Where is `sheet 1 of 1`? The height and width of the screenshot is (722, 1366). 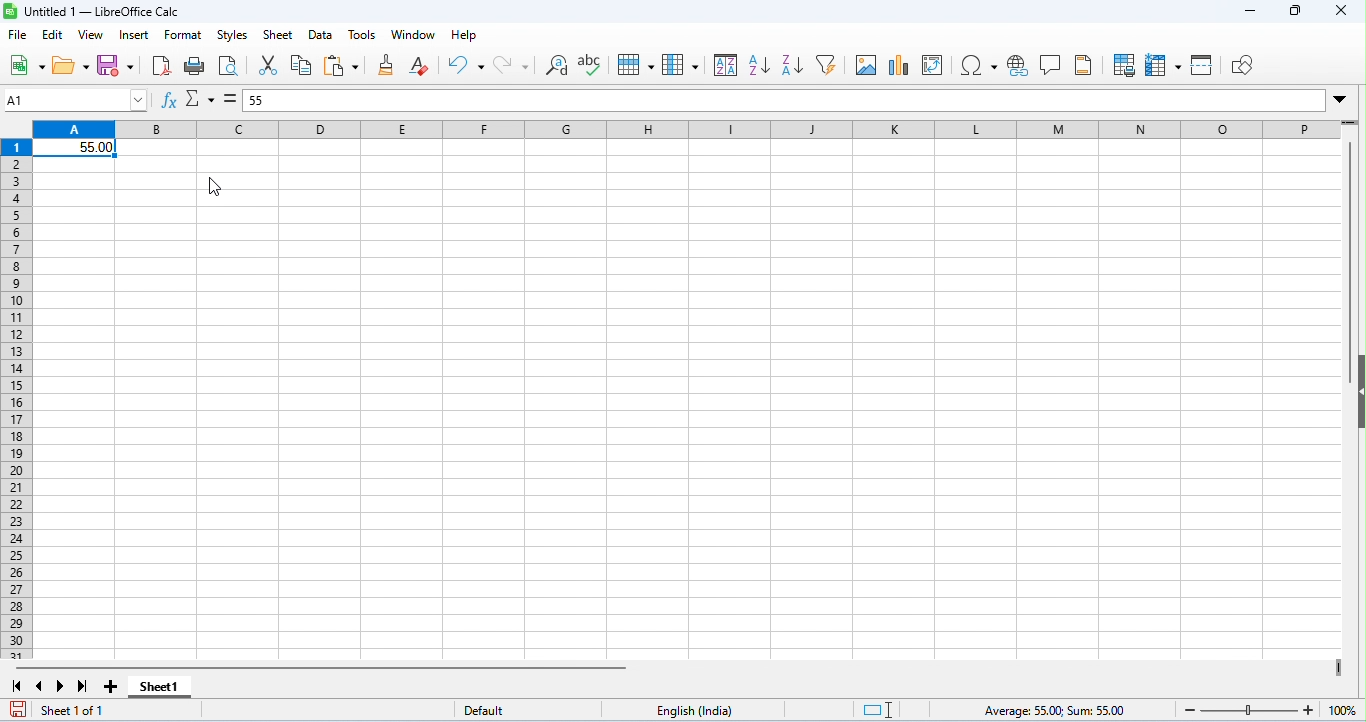 sheet 1 of 1 is located at coordinates (79, 711).